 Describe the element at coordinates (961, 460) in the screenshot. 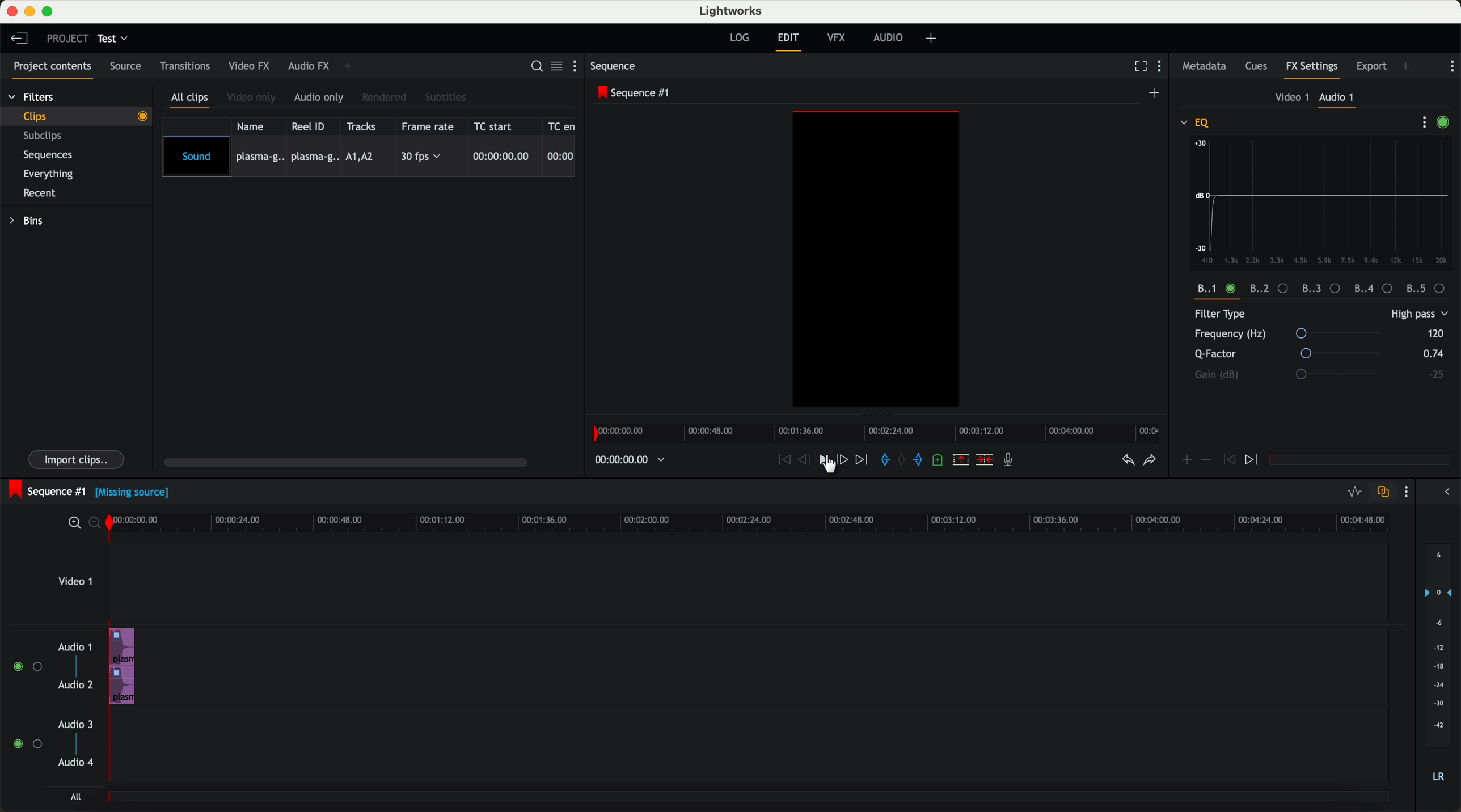

I see `remove the marked section` at that location.